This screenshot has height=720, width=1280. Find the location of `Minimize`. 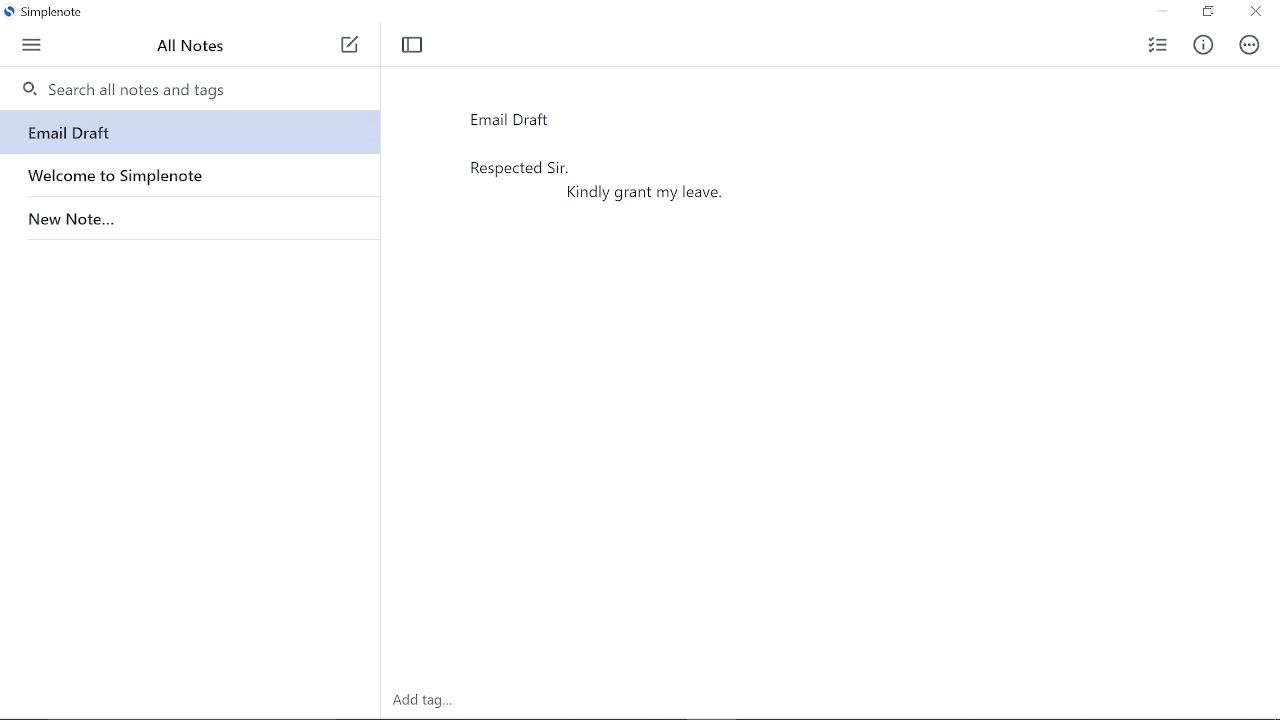

Minimize is located at coordinates (1162, 12).